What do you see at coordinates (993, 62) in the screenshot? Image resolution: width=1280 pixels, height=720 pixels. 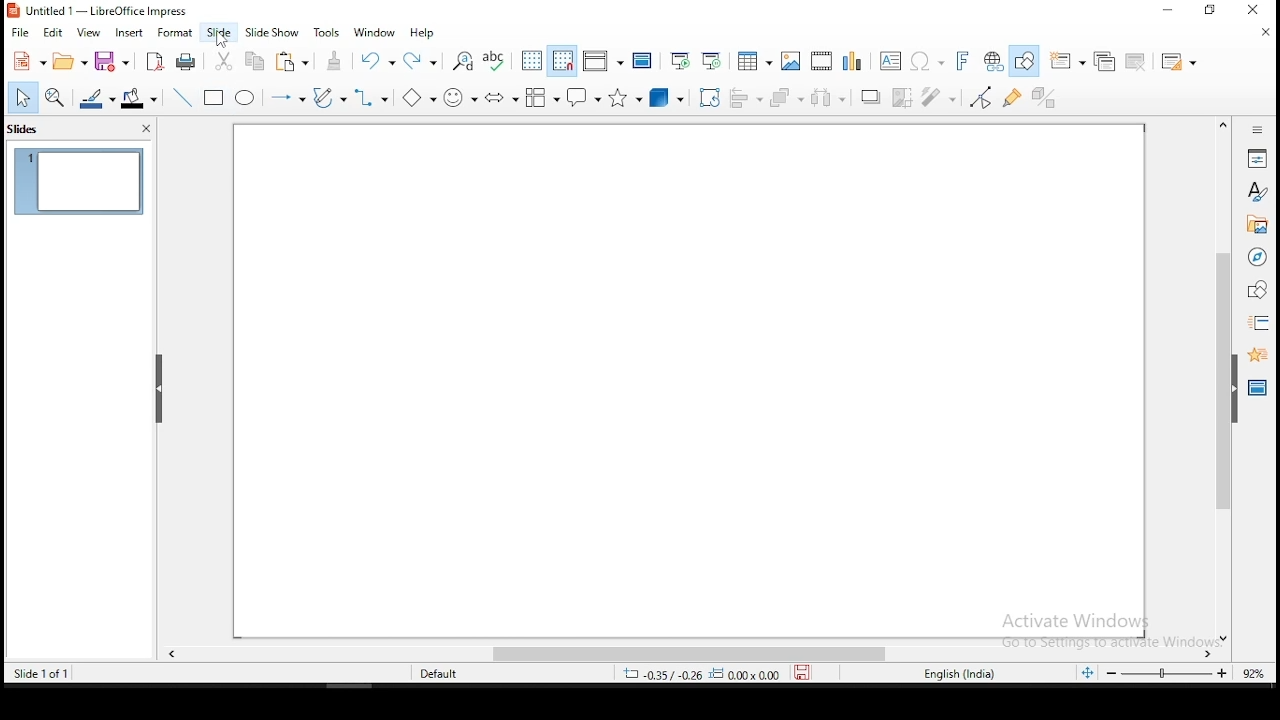 I see `hyperlink` at bounding box center [993, 62].